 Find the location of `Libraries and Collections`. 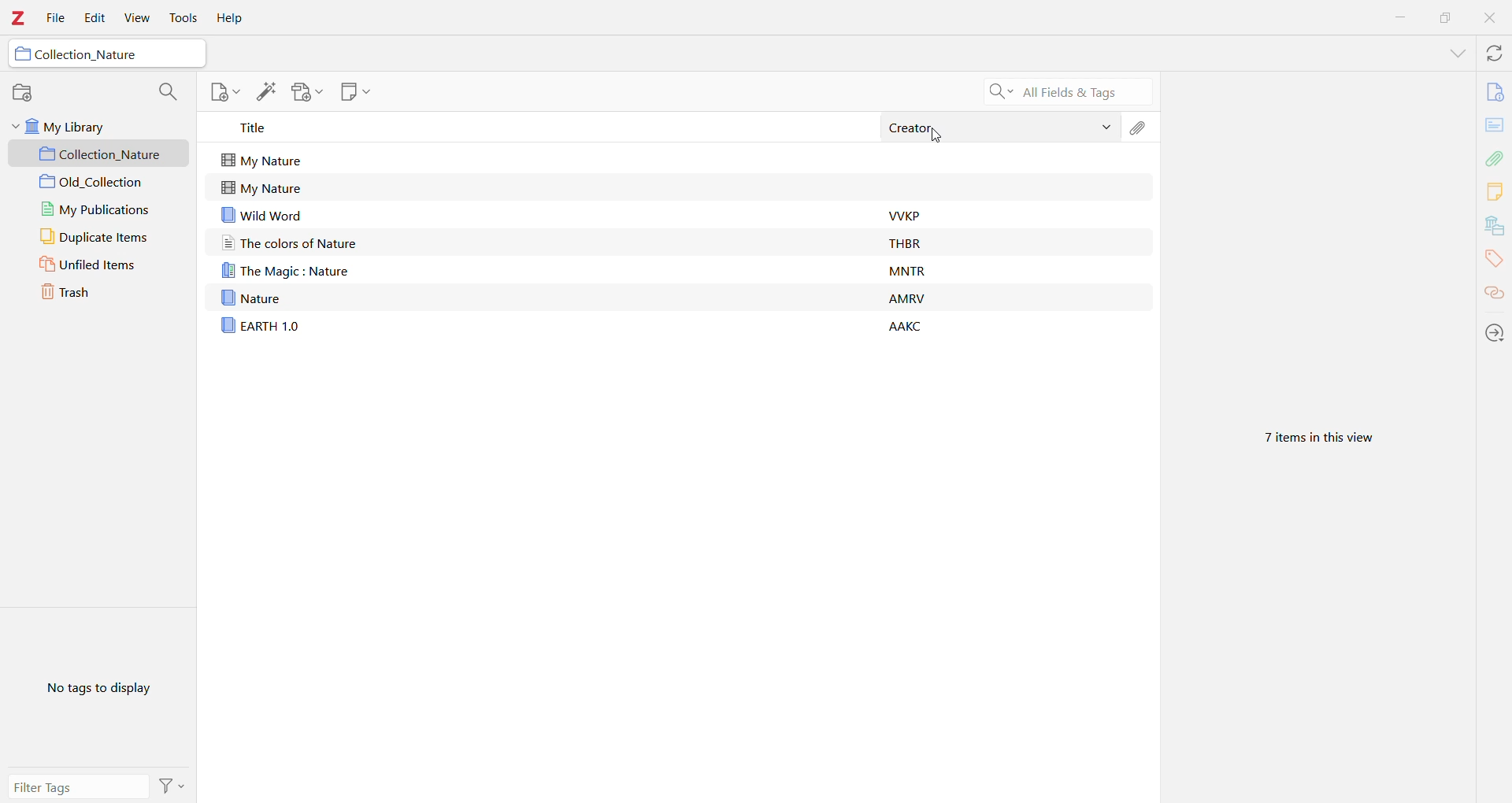

Libraries and Collections is located at coordinates (1495, 225).